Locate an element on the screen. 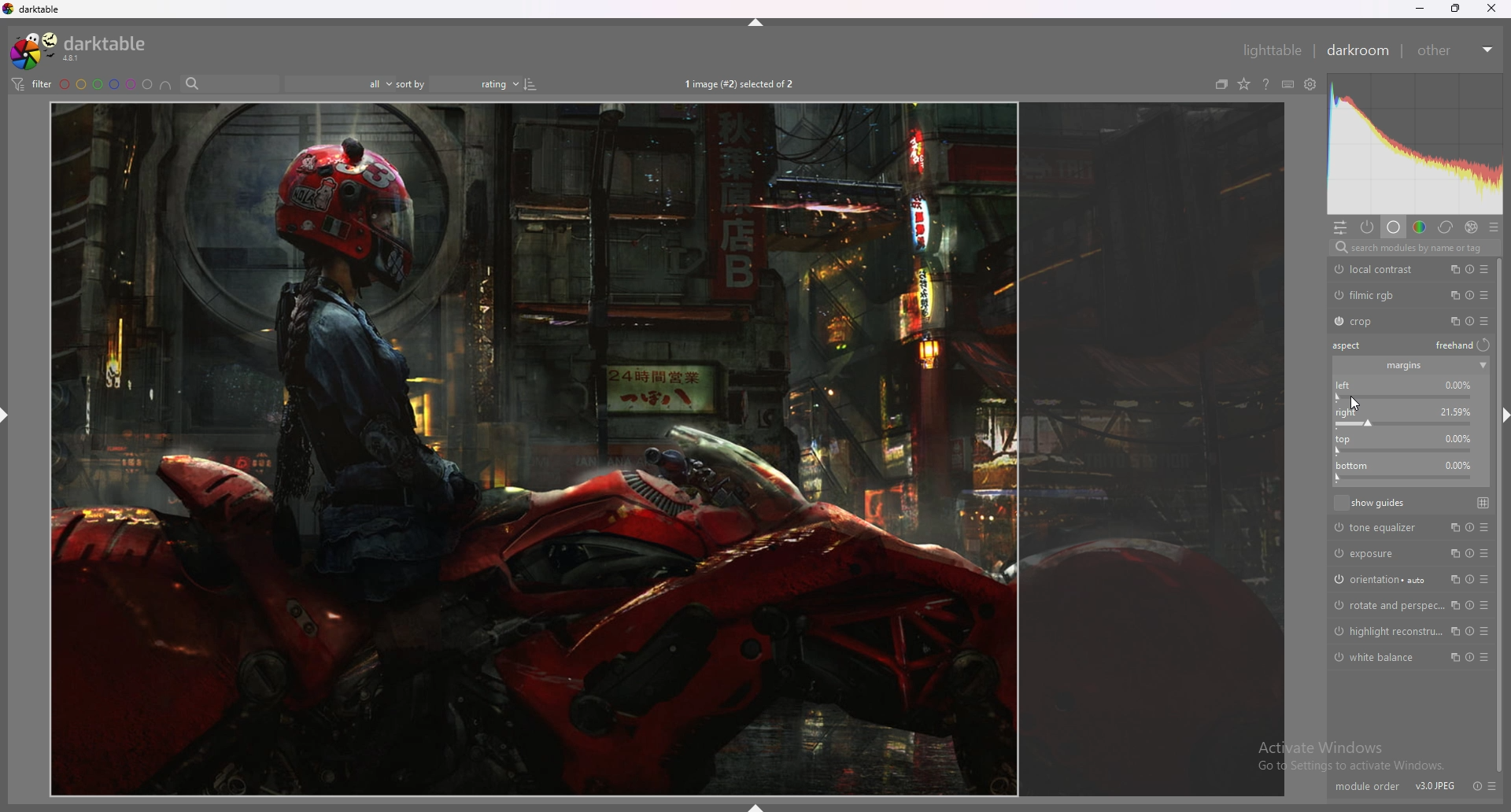 This screenshot has width=1511, height=812. multiple instances action is located at coordinates (1450, 320).